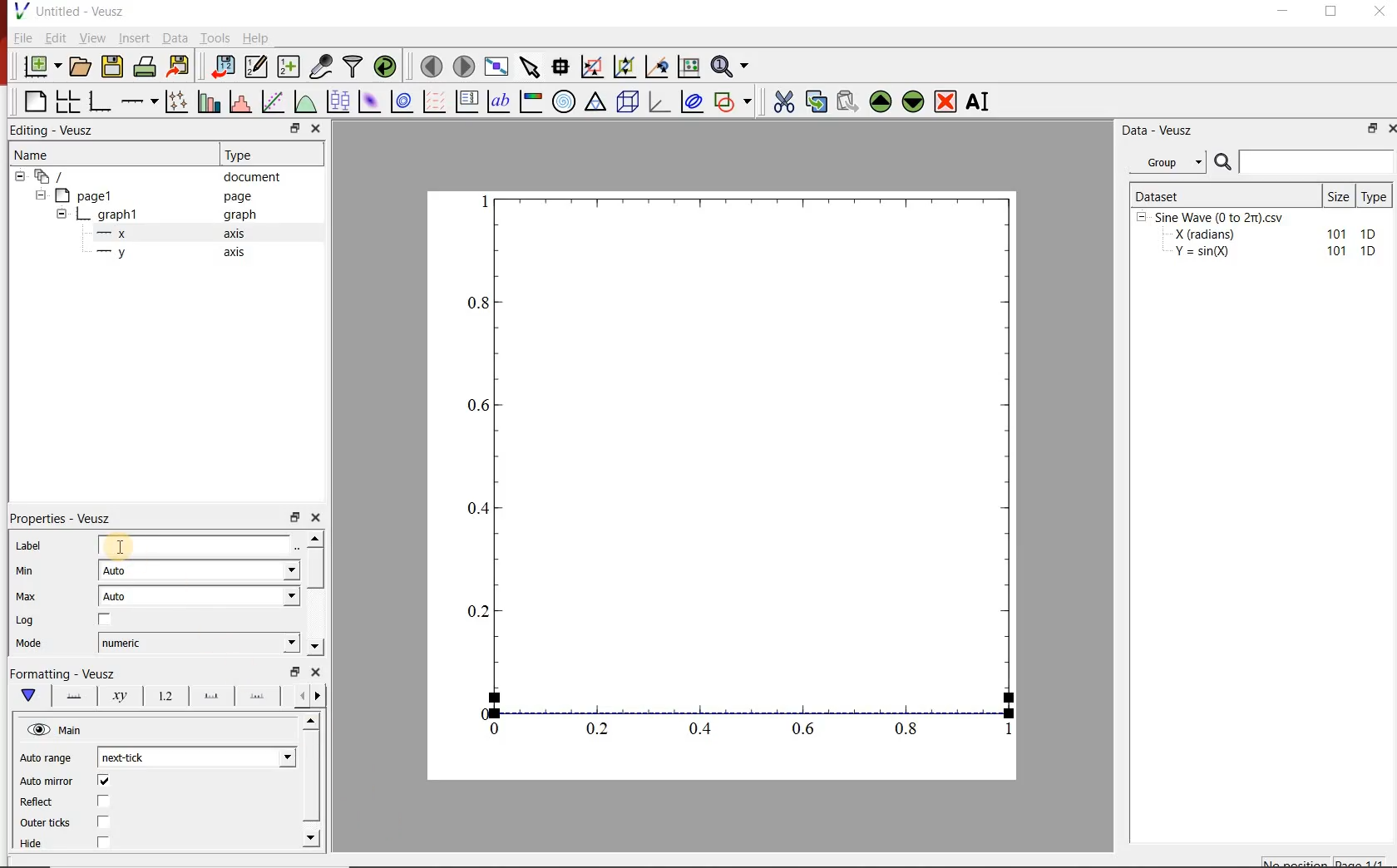 The width and height of the screenshot is (1397, 868). Describe the element at coordinates (233, 251) in the screenshot. I see `axis` at that location.